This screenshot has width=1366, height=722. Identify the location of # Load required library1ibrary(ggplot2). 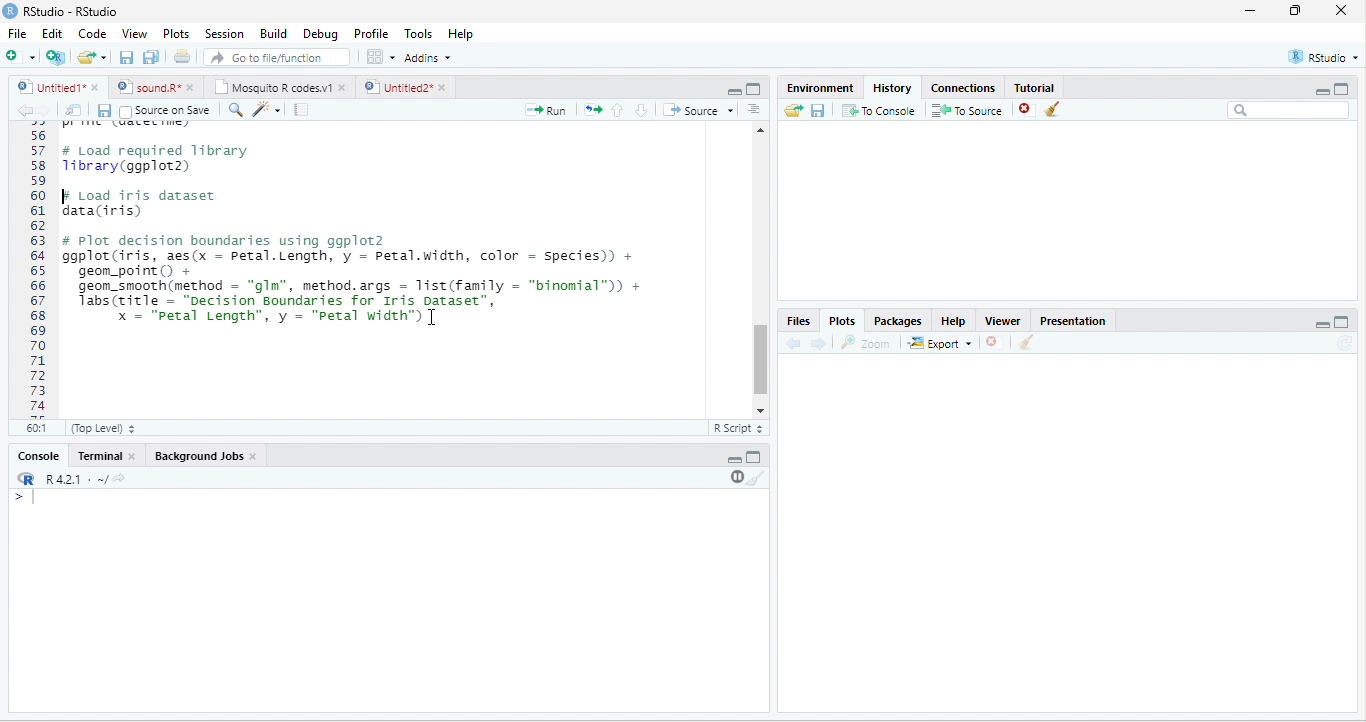
(157, 159).